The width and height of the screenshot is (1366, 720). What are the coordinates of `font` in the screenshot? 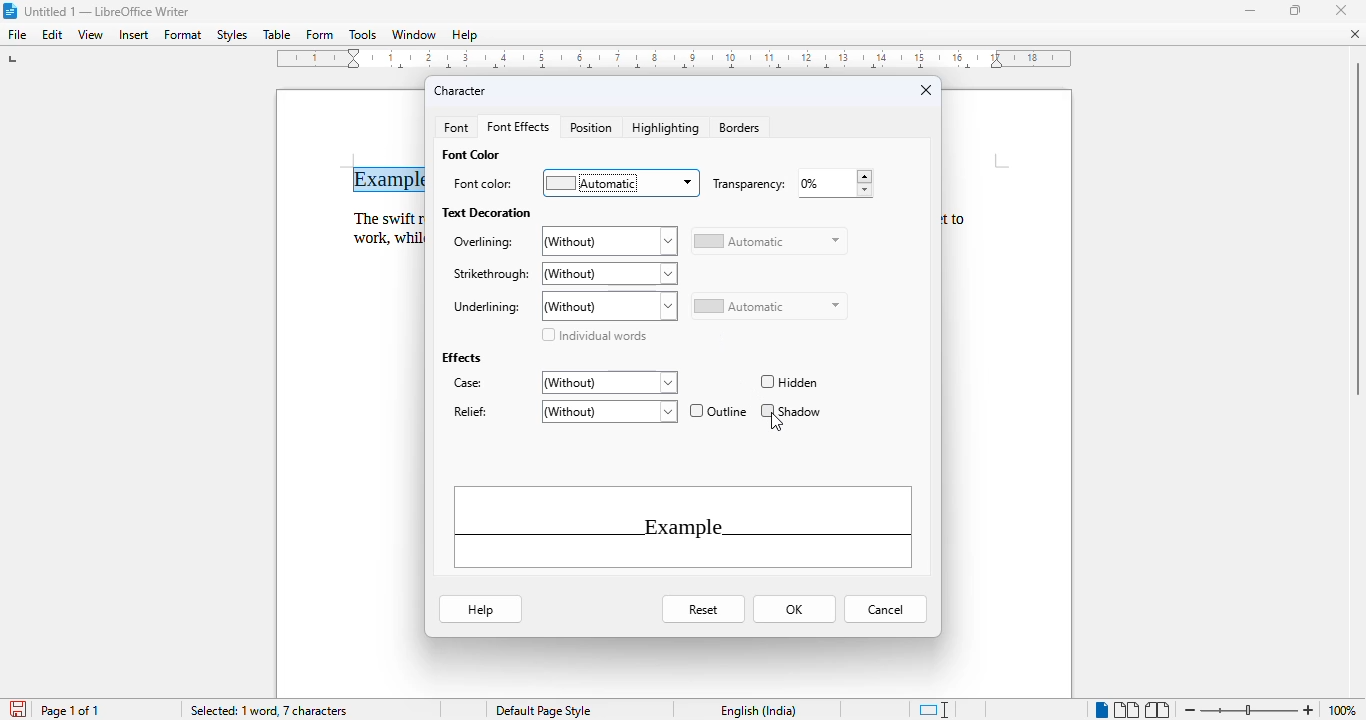 It's located at (455, 128).